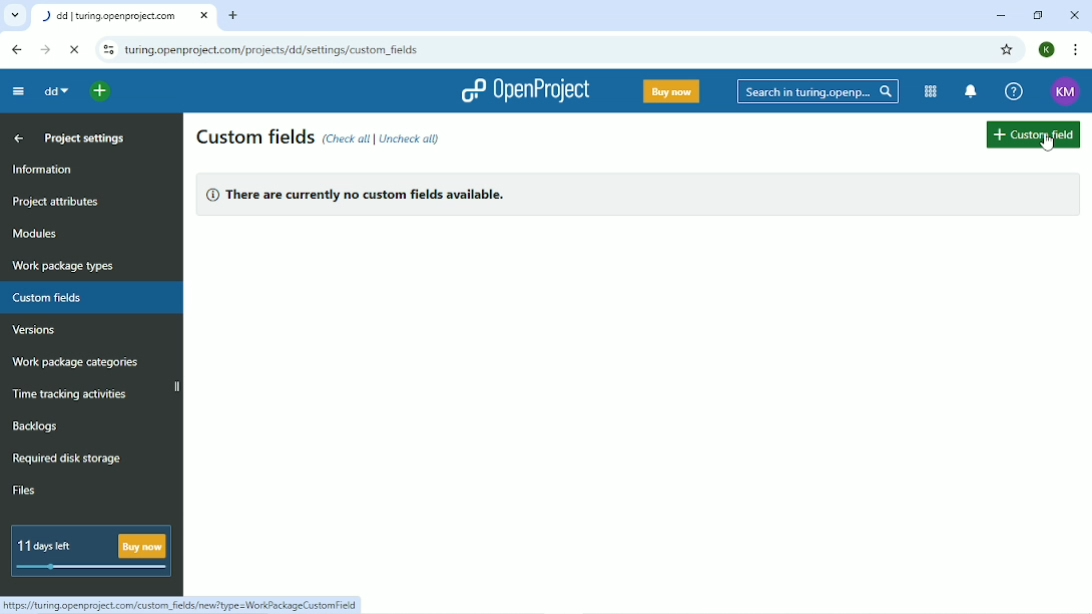 Image resolution: width=1092 pixels, height=614 pixels. I want to click on 11 days left Buy now, so click(92, 551).